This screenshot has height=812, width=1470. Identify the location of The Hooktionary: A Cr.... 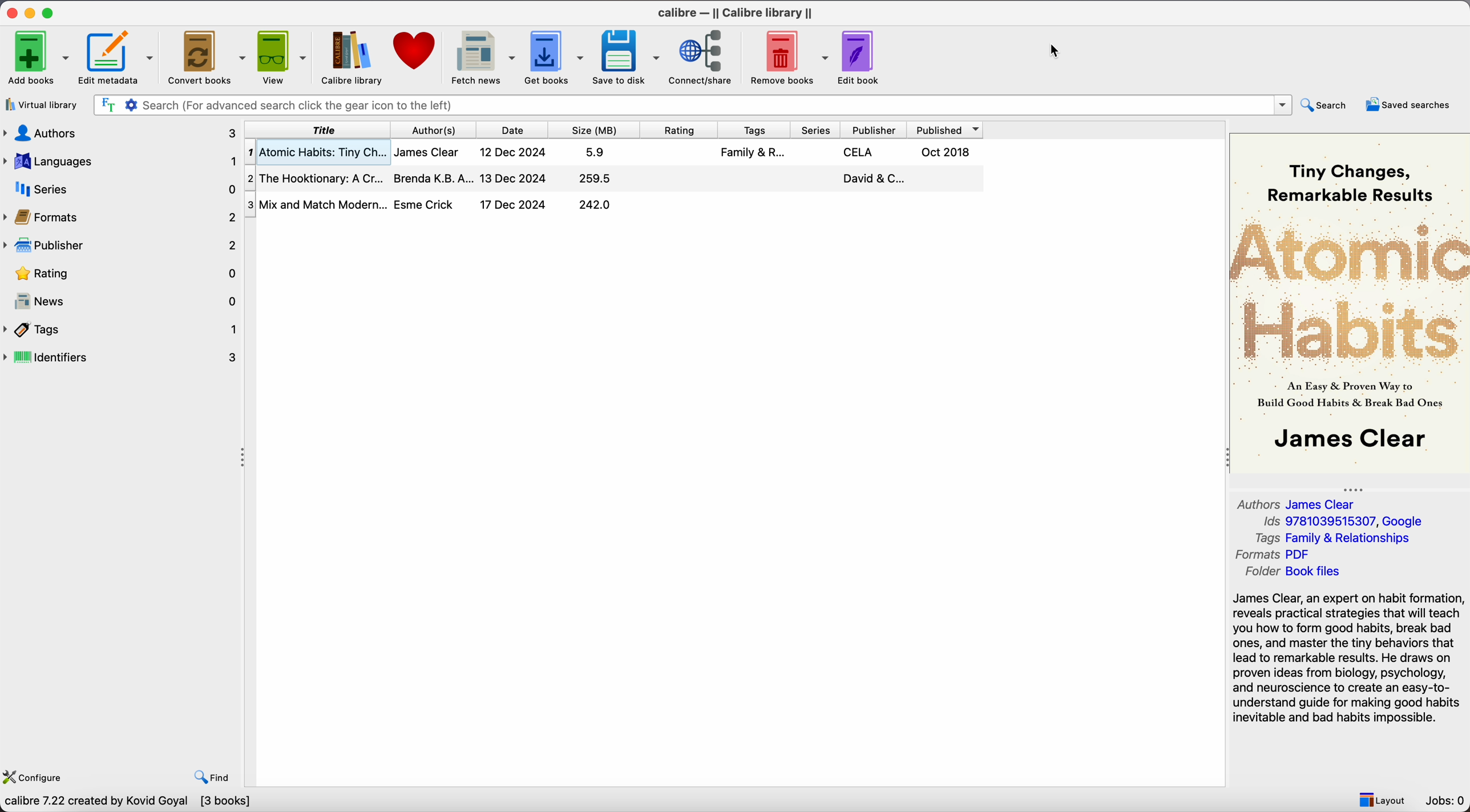
(315, 179).